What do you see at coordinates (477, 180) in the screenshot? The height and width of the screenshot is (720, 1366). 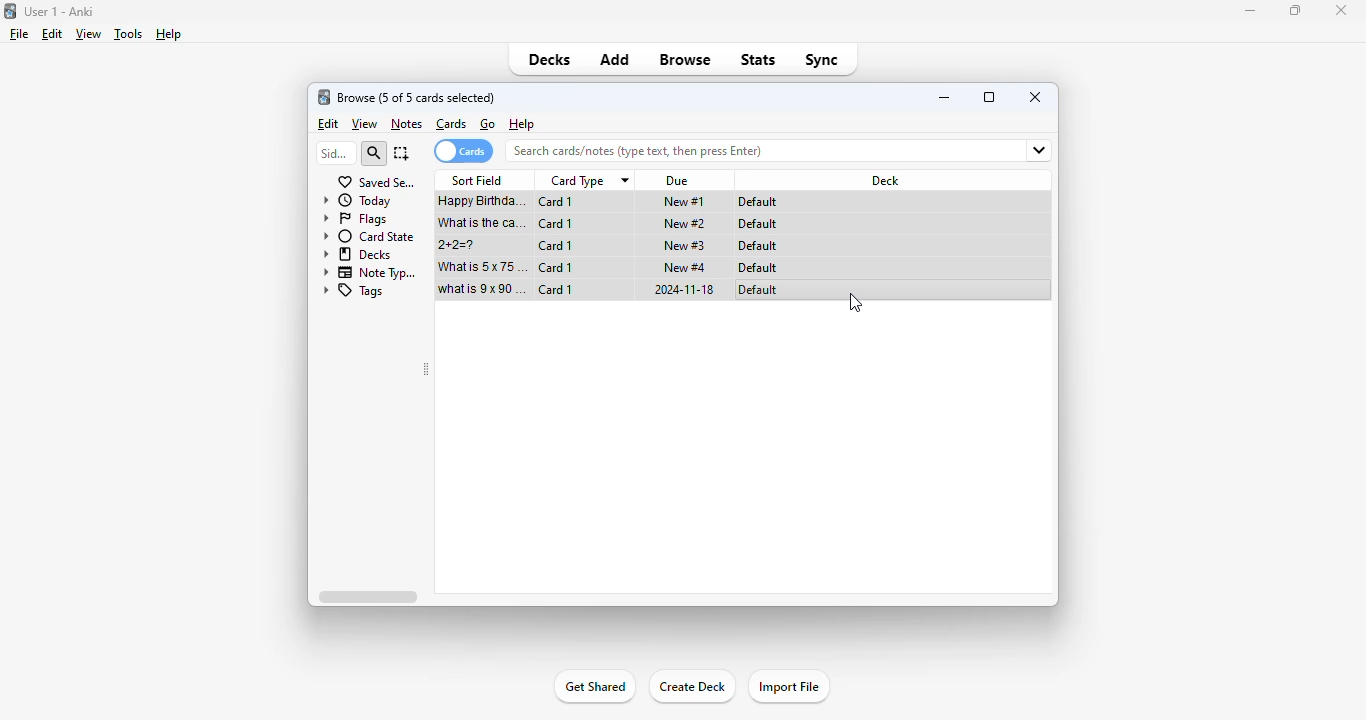 I see `sort field` at bounding box center [477, 180].